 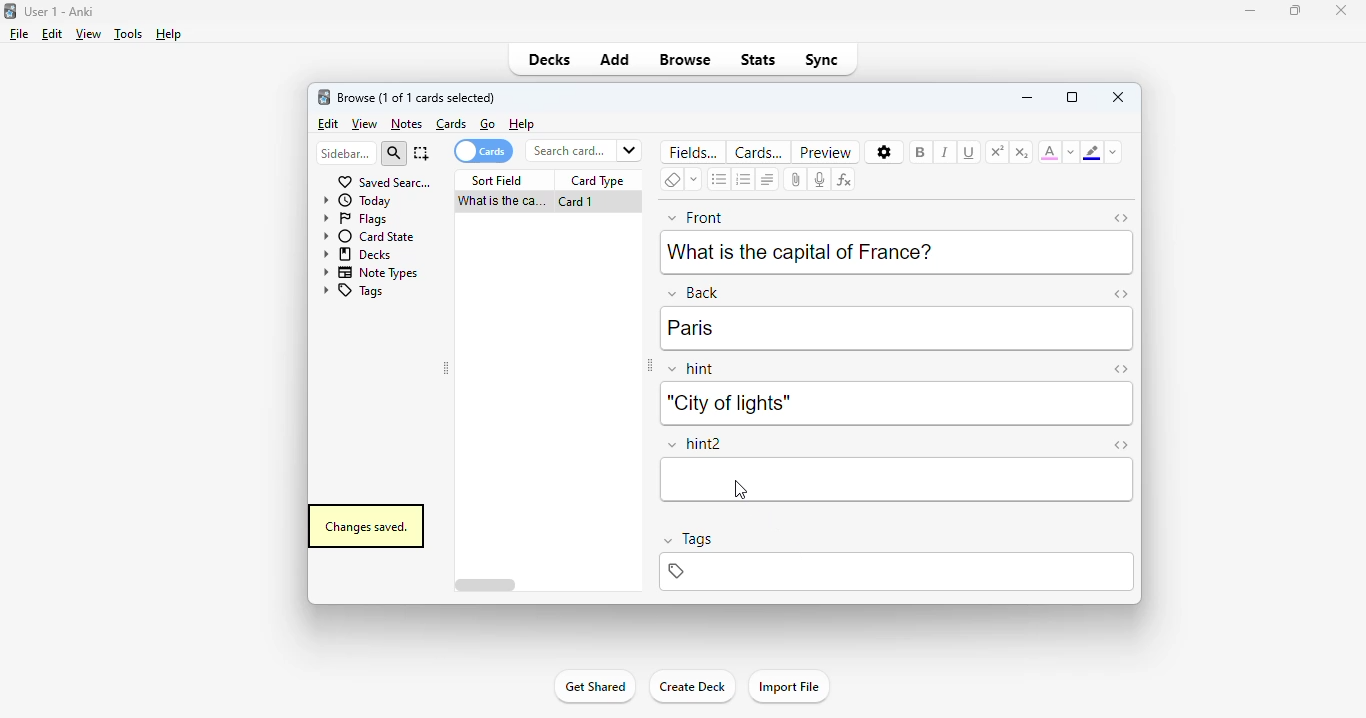 I want to click on sort field, so click(x=497, y=181).